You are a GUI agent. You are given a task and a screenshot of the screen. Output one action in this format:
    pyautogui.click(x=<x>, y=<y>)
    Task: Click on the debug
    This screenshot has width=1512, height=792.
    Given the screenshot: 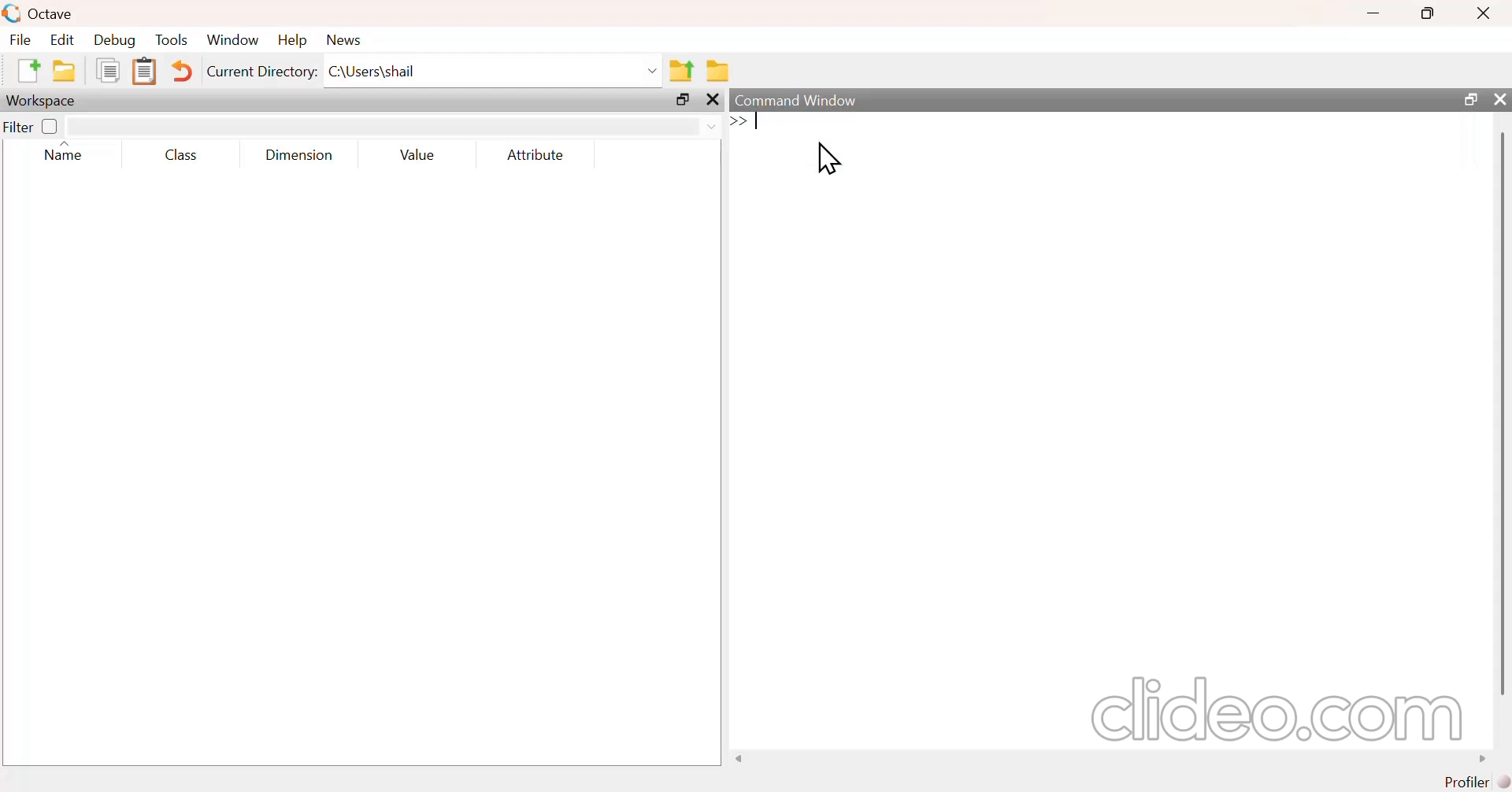 What is the action you would take?
    pyautogui.click(x=115, y=39)
    